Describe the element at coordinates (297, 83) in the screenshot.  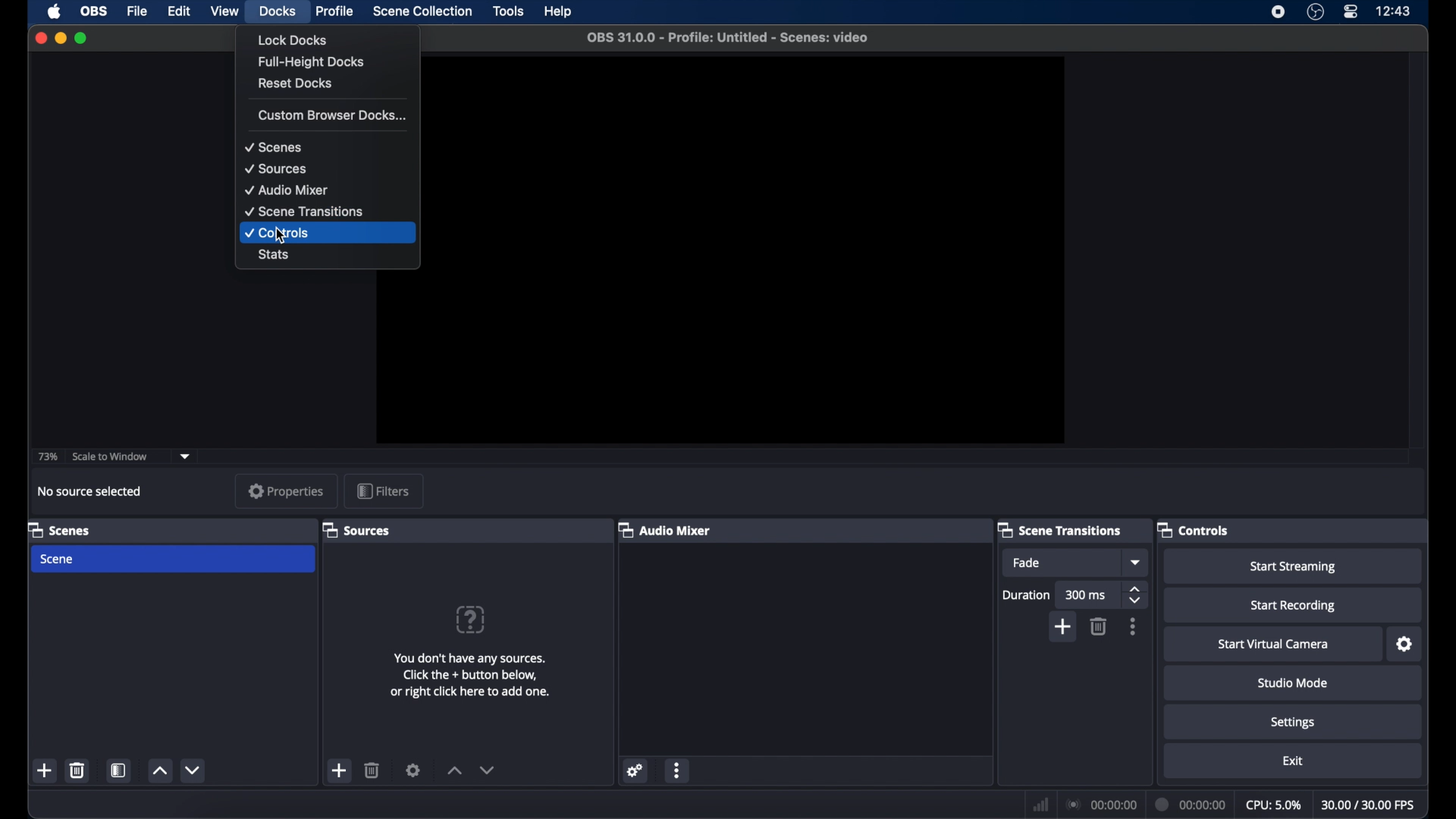
I see `reset docks` at that location.